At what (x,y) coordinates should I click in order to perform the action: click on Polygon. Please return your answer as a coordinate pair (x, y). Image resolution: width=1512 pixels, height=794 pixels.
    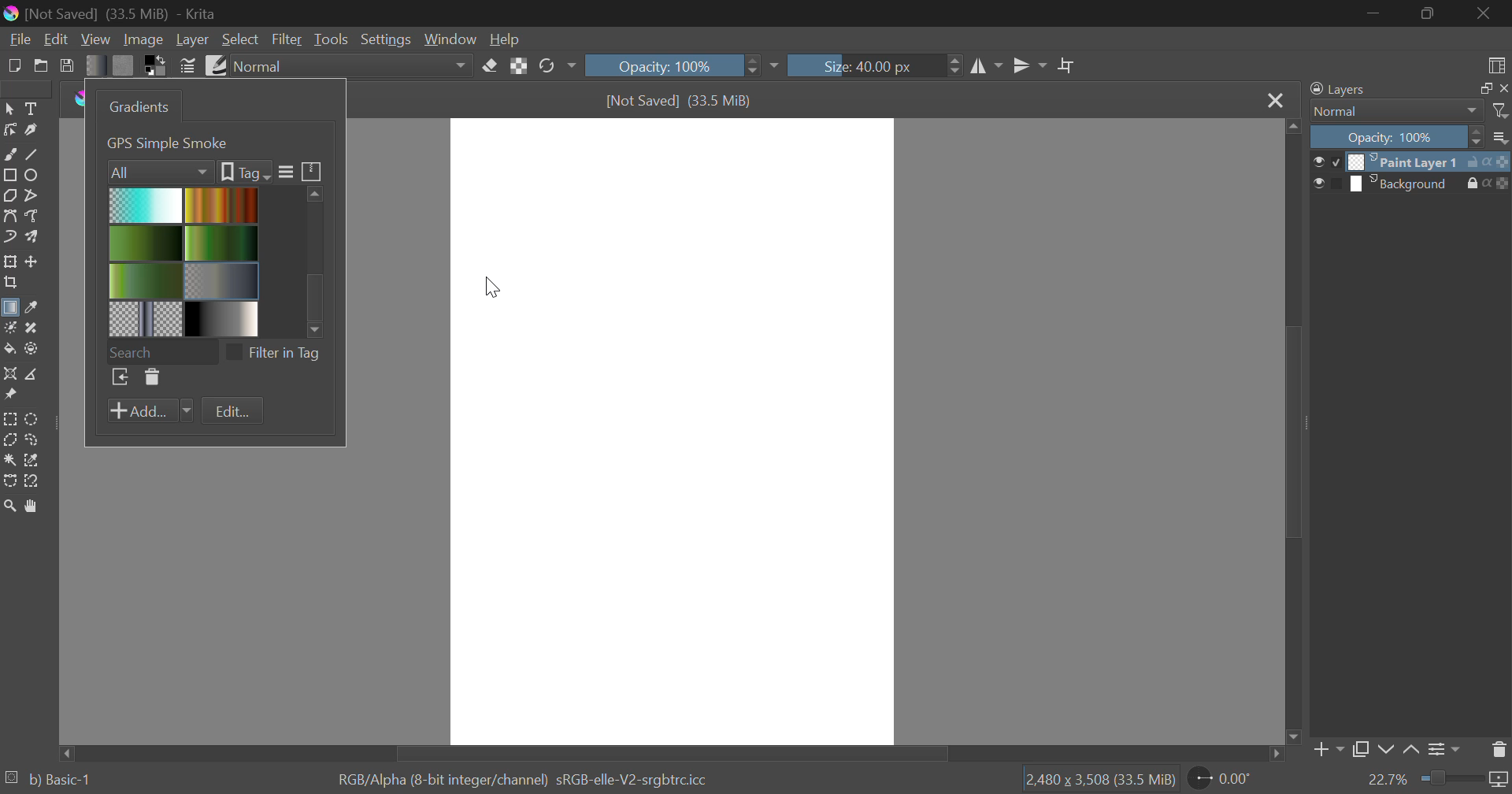
    Looking at the image, I should click on (9, 195).